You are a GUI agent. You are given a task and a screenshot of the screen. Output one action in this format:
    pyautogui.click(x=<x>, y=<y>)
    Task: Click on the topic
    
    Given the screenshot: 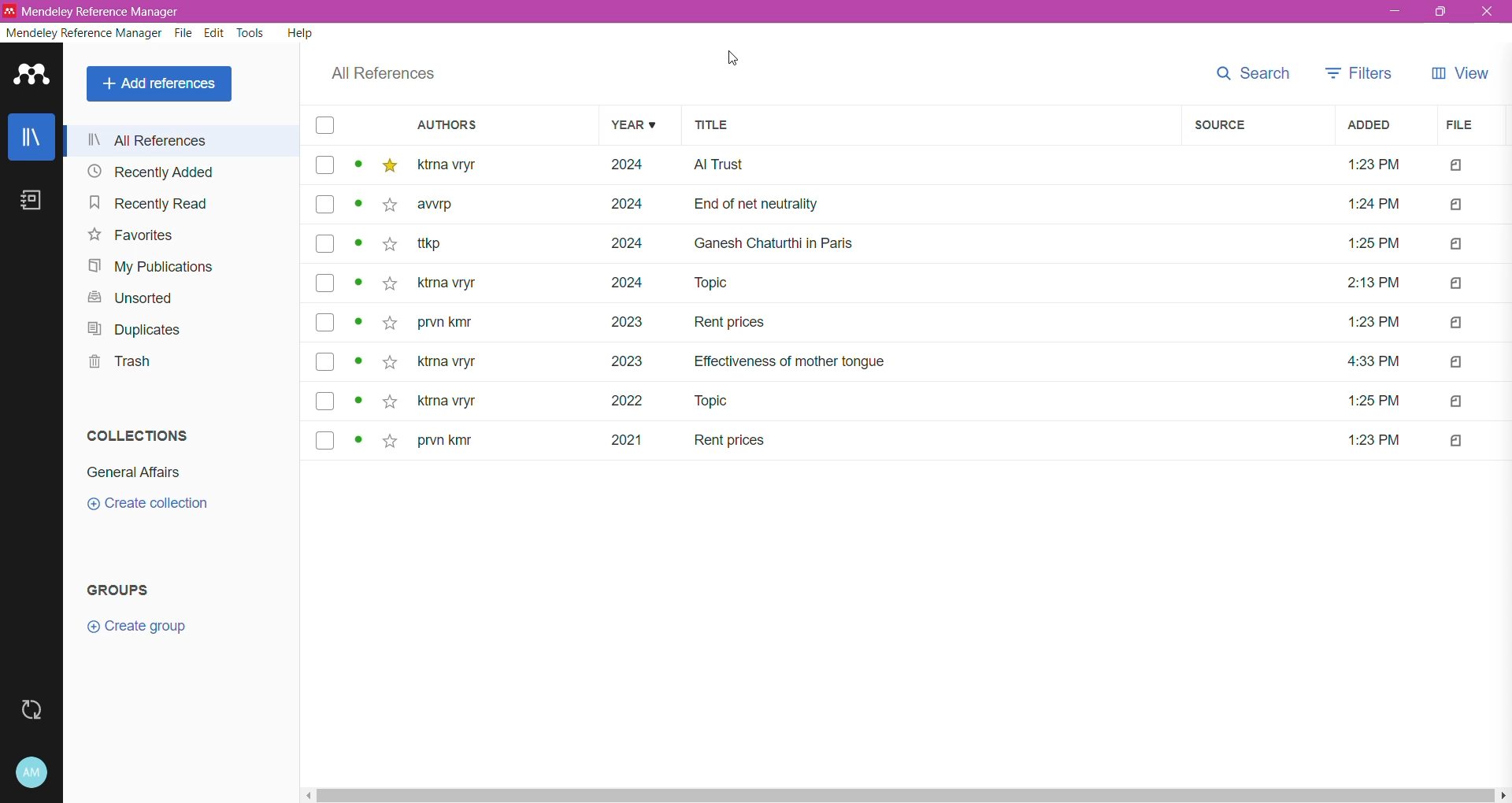 What is the action you would take?
    pyautogui.click(x=715, y=283)
    